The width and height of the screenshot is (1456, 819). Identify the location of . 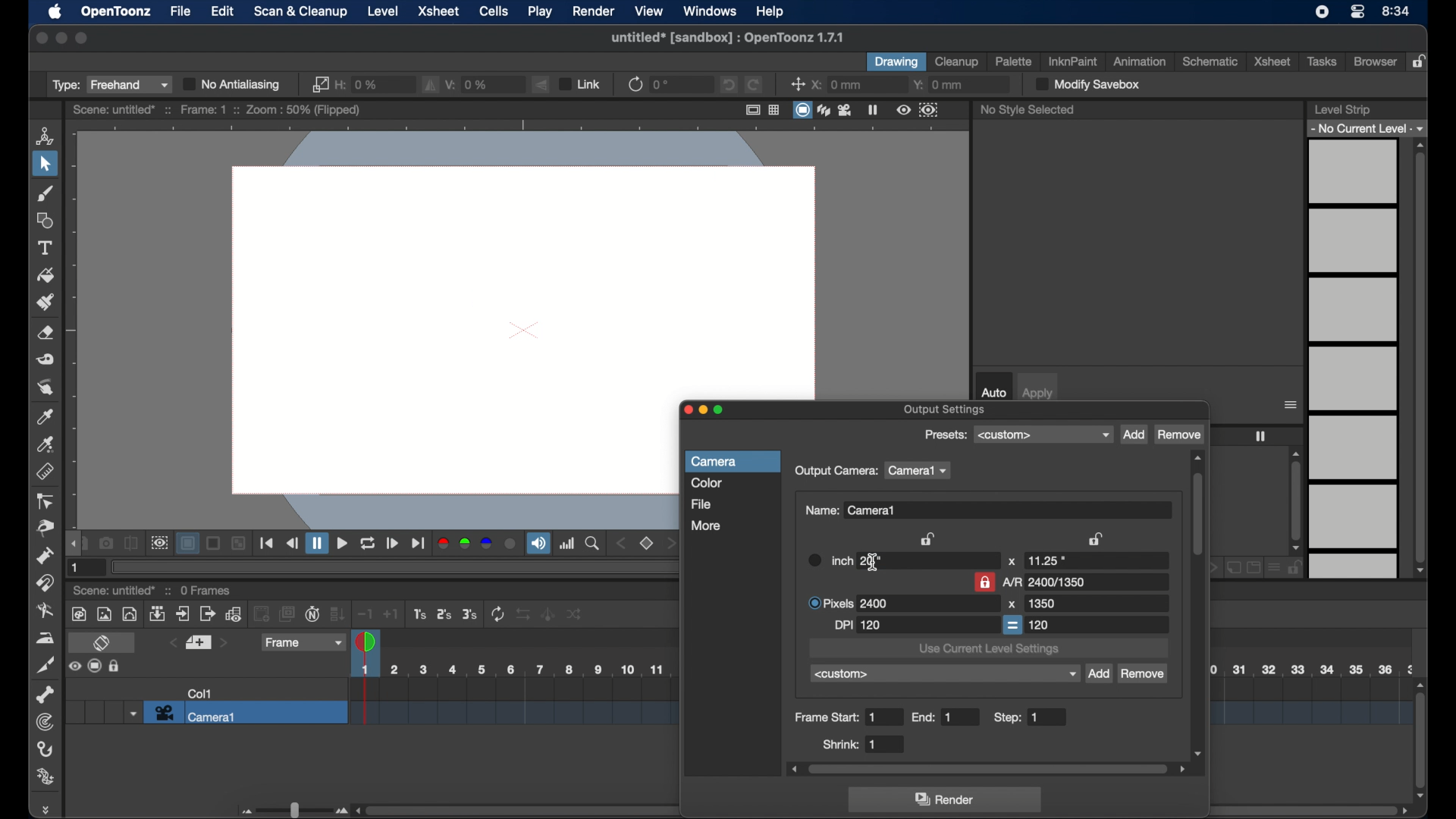
(1298, 567).